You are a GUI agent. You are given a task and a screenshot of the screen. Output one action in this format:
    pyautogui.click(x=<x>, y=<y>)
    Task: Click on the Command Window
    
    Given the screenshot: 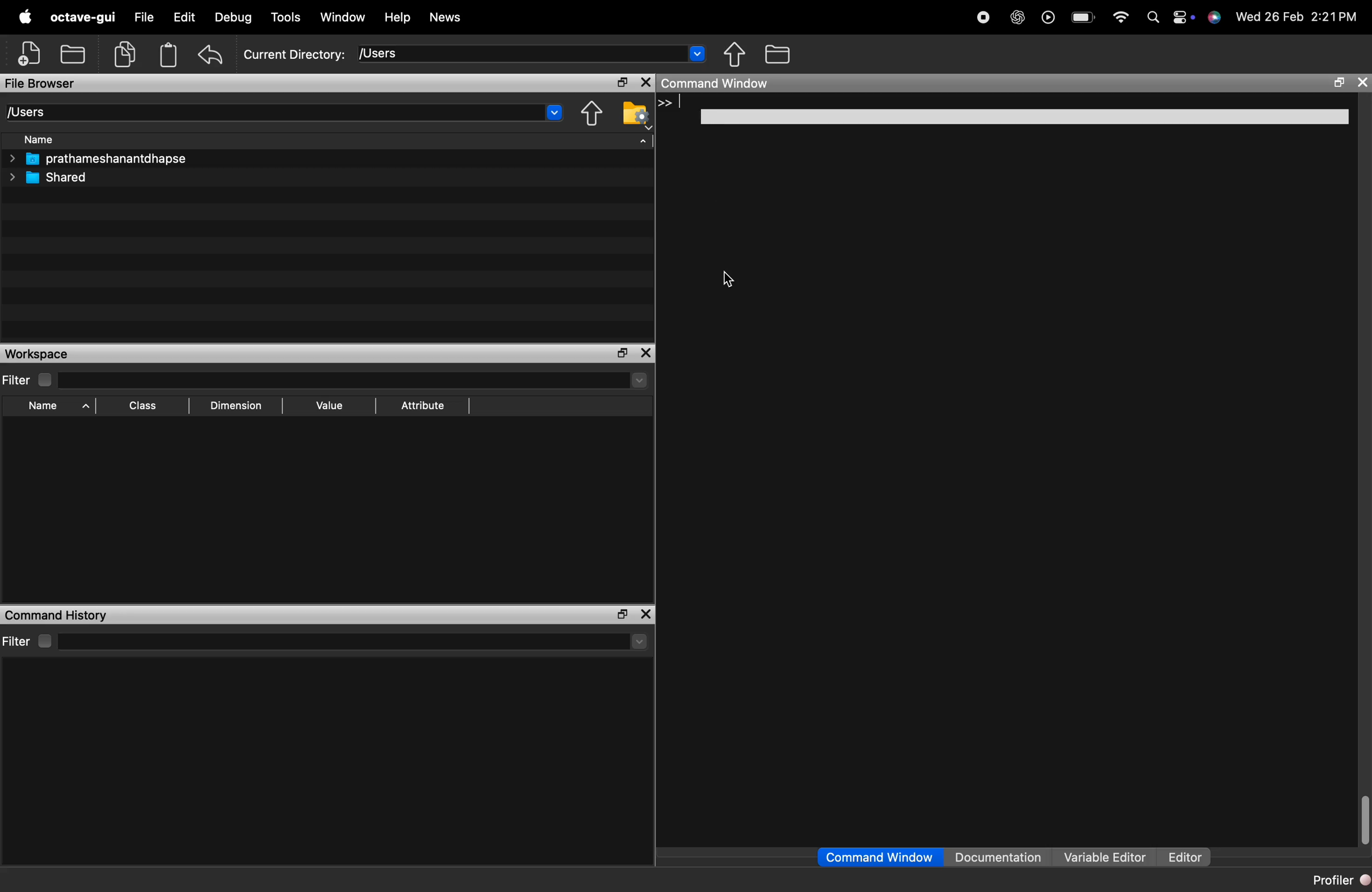 What is the action you would take?
    pyautogui.click(x=715, y=82)
    